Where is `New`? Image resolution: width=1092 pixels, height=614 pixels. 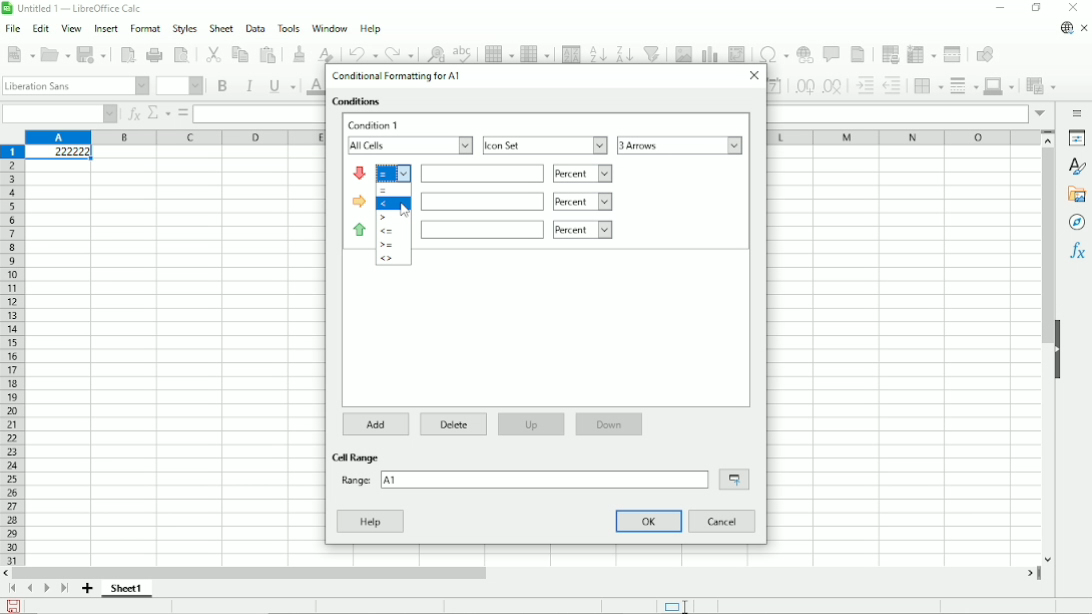 New is located at coordinates (21, 53).